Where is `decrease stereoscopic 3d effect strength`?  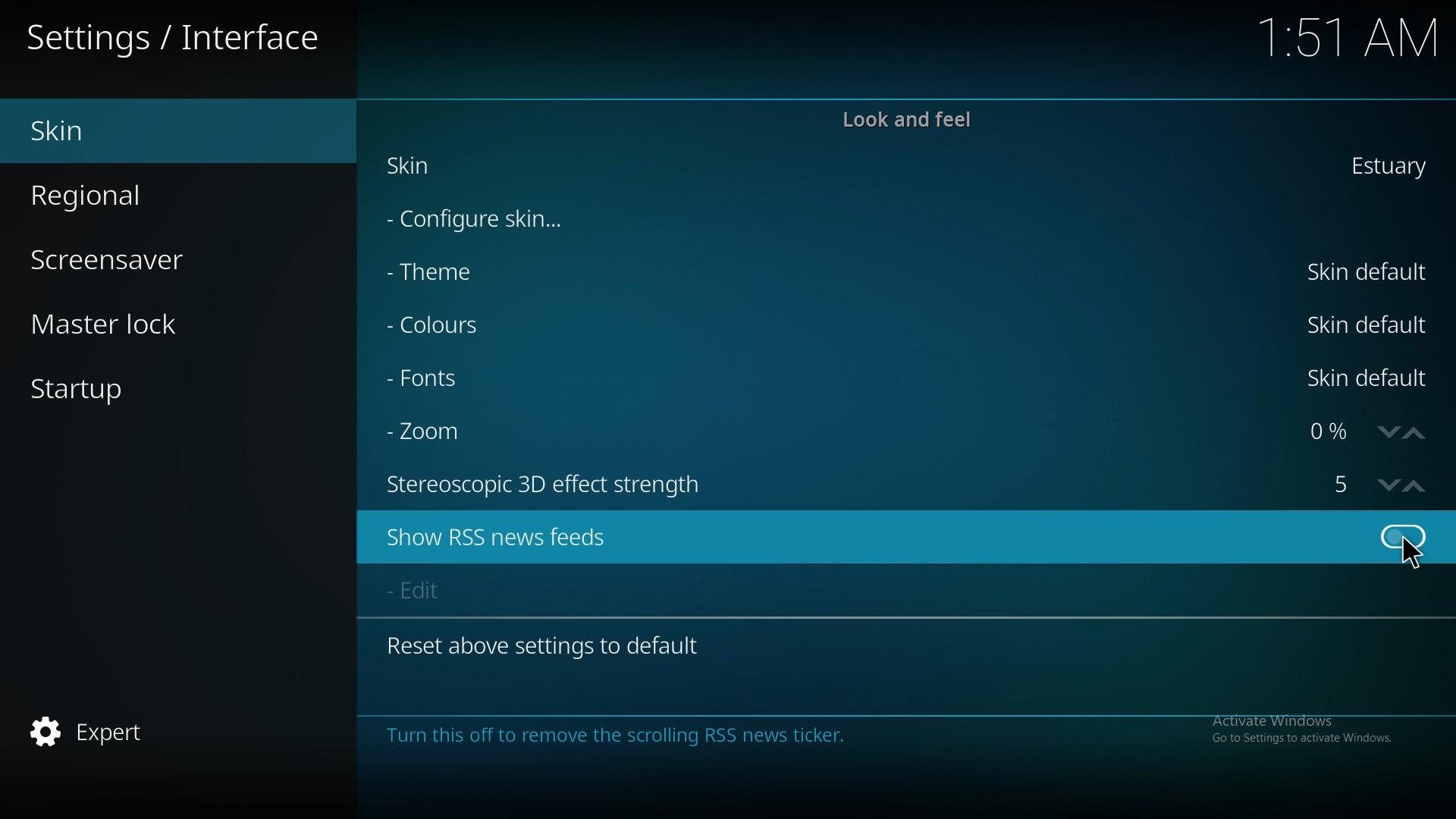
decrease stereoscopic 3d effect strength is located at coordinates (1389, 485).